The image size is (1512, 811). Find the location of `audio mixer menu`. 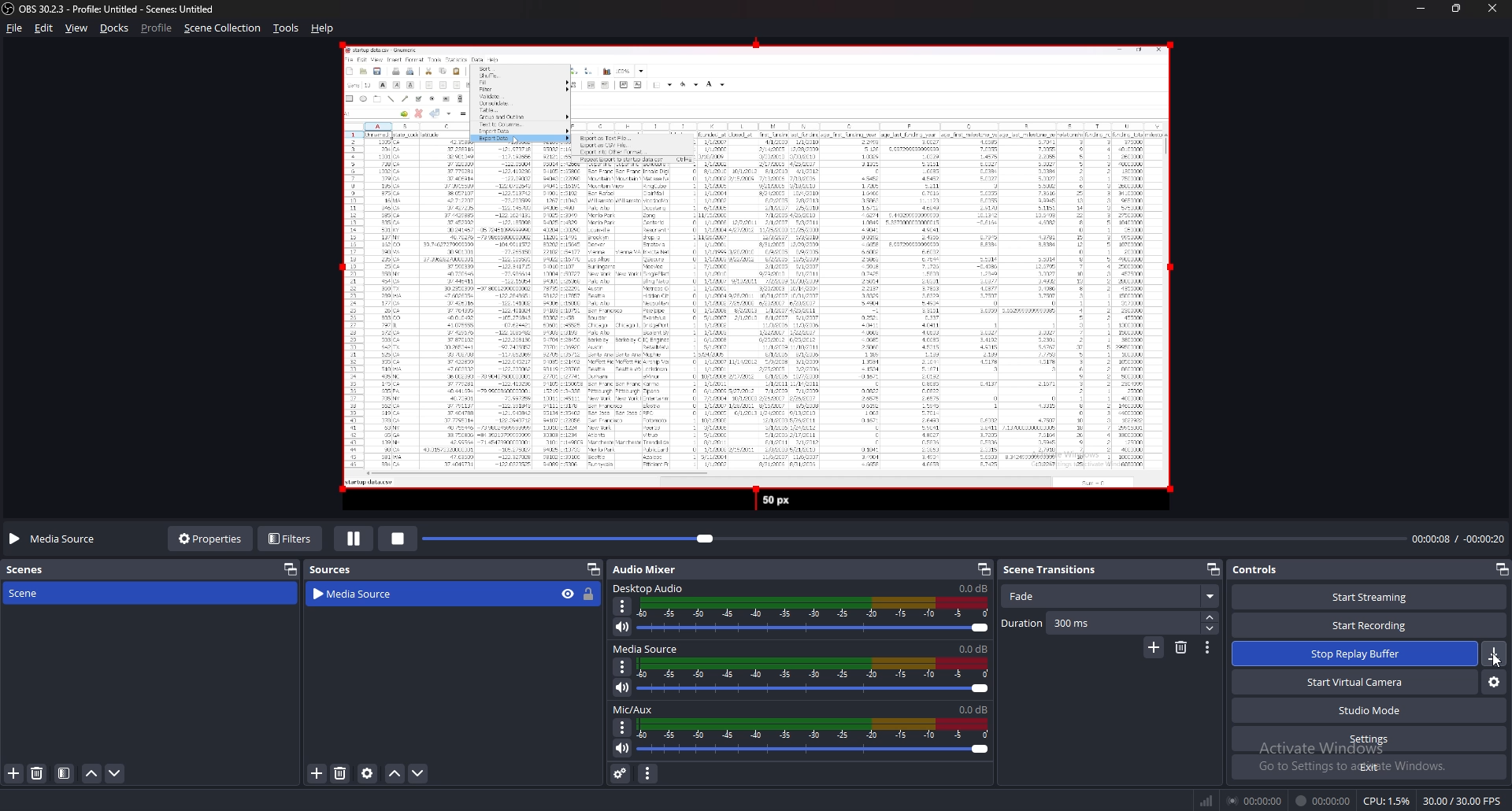

audio mixer menu is located at coordinates (647, 774).